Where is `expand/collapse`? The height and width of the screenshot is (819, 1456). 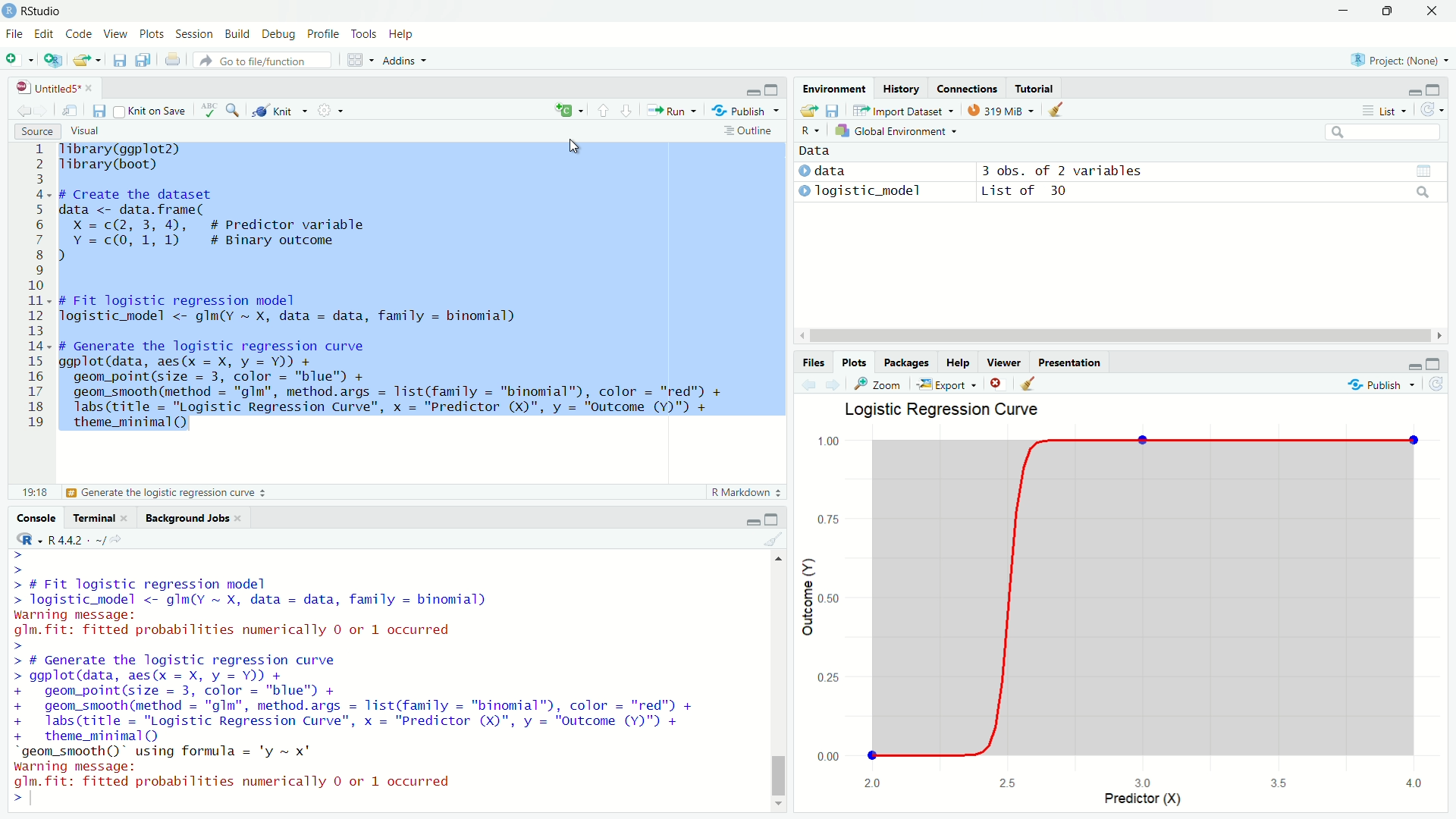
expand/collapse is located at coordinates (803, 171).